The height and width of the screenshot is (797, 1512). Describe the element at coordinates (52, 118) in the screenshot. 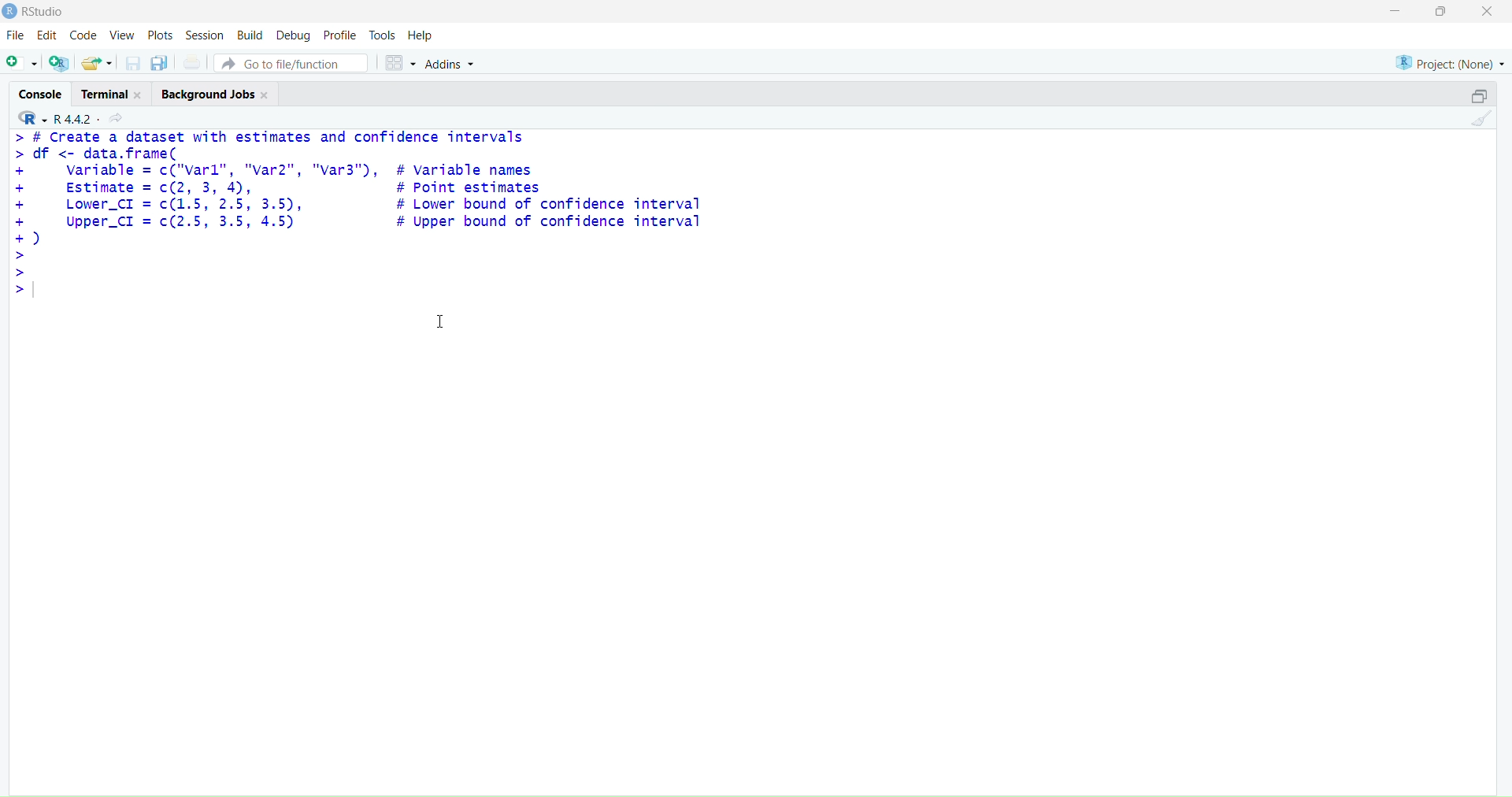

I see `R 4.4.2` at that location.